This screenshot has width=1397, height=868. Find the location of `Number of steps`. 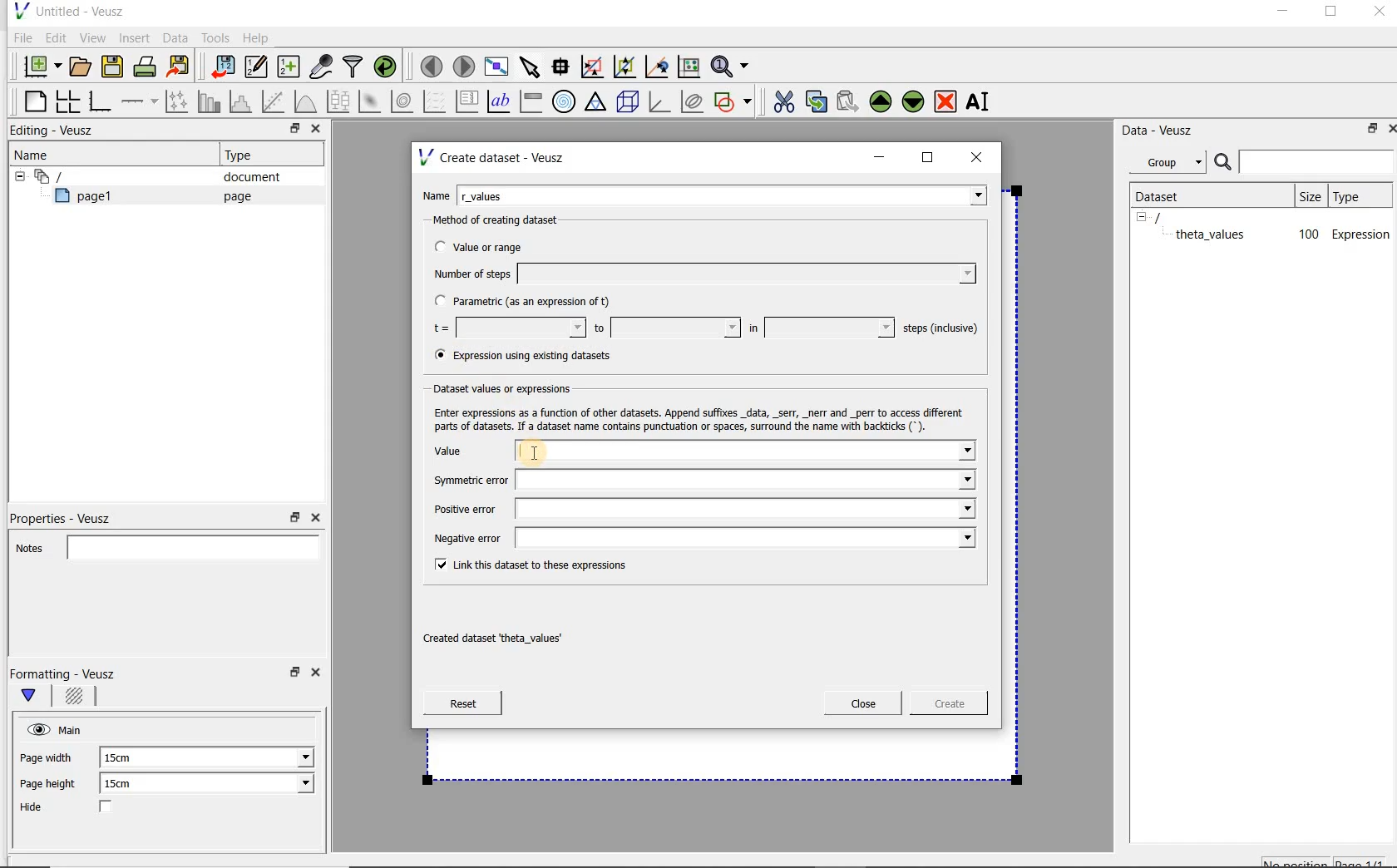

Number of steps is located at coordinates (699, 274).